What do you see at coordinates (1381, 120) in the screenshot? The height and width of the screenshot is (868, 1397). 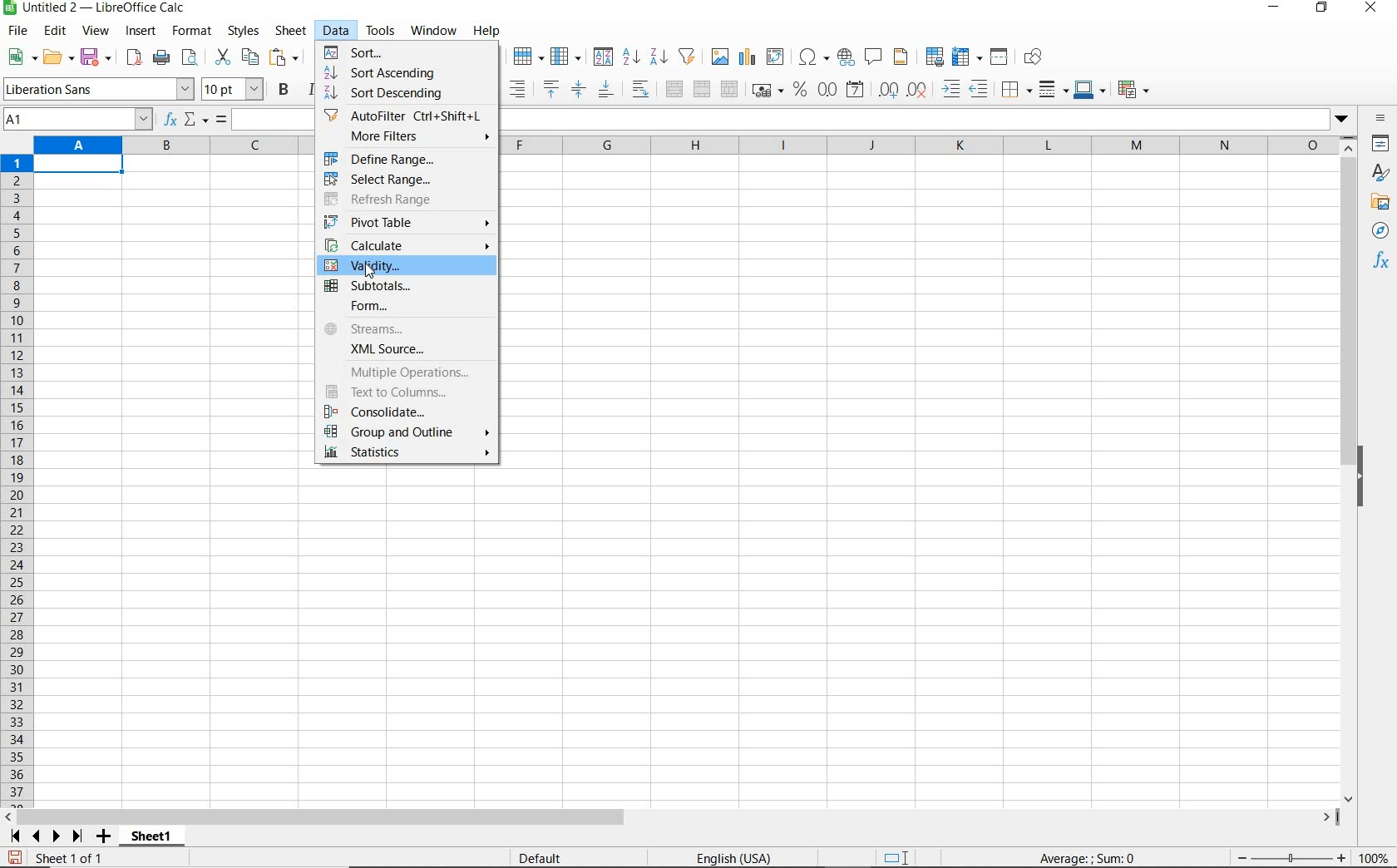 I see `sidebar settings` at bounding box center [1381, 120].